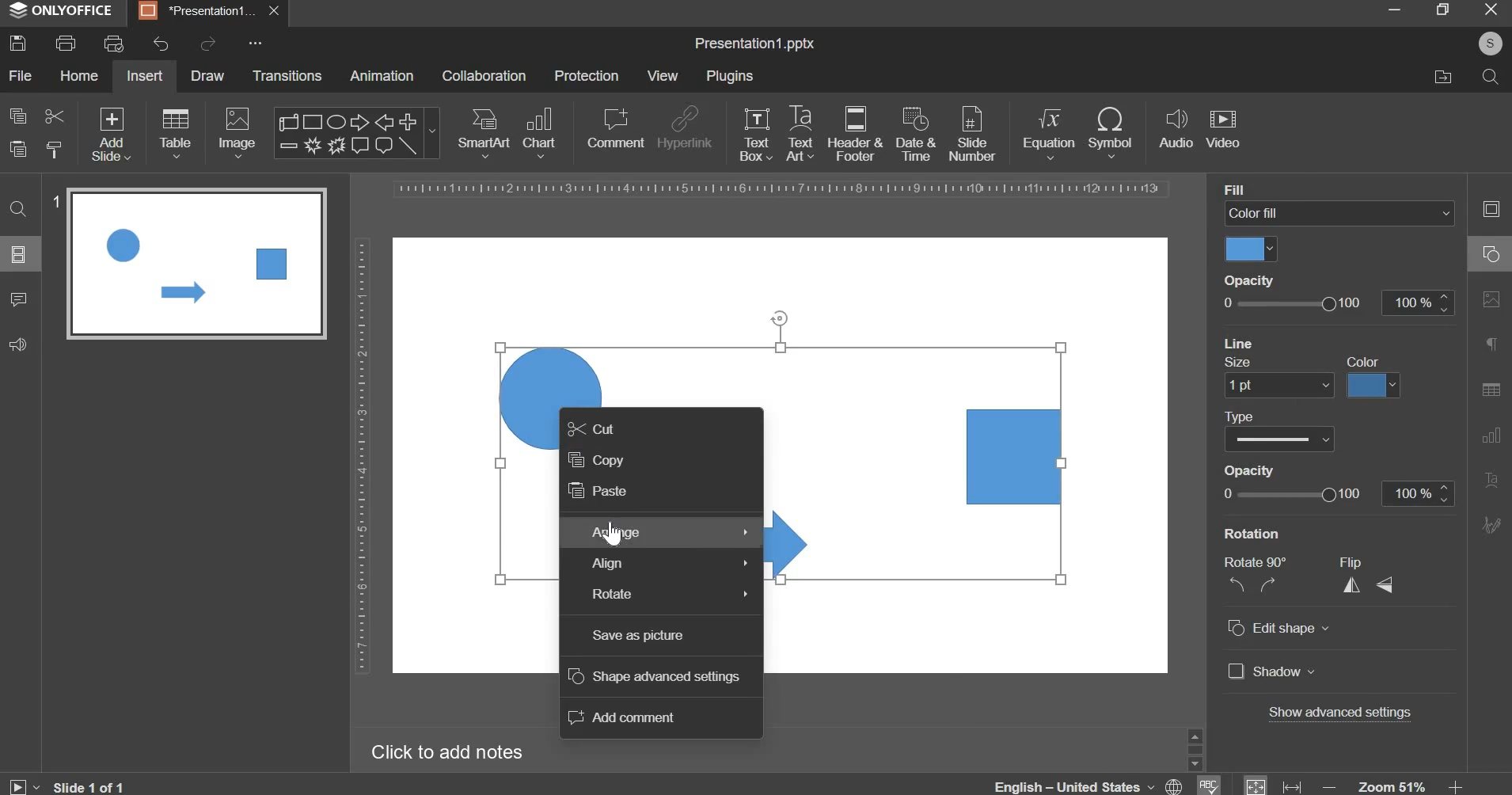  I want to click on cut, so click(591, 428).